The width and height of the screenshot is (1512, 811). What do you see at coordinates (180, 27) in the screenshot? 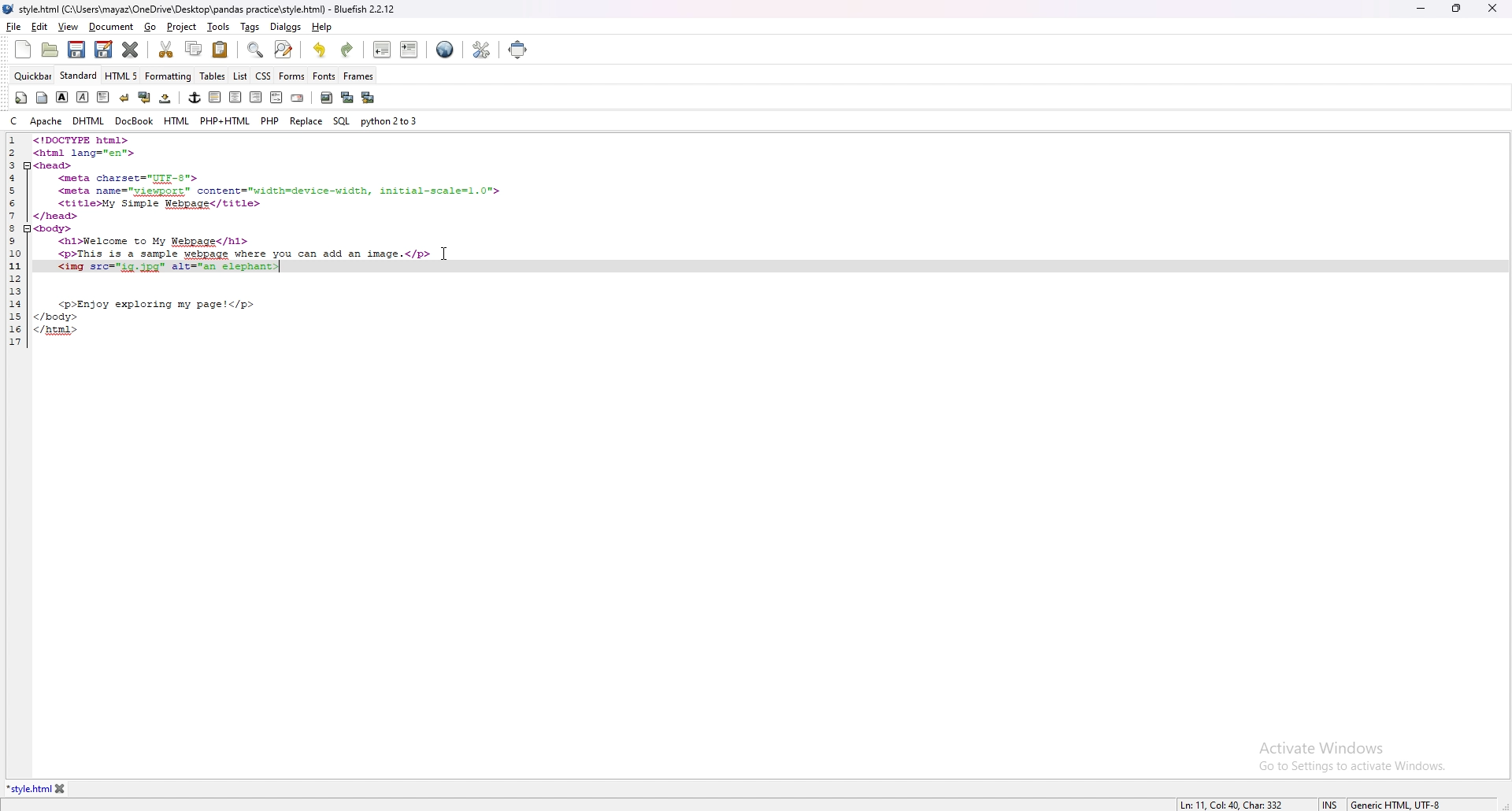
I see `project` at bounding box center [180, 27].